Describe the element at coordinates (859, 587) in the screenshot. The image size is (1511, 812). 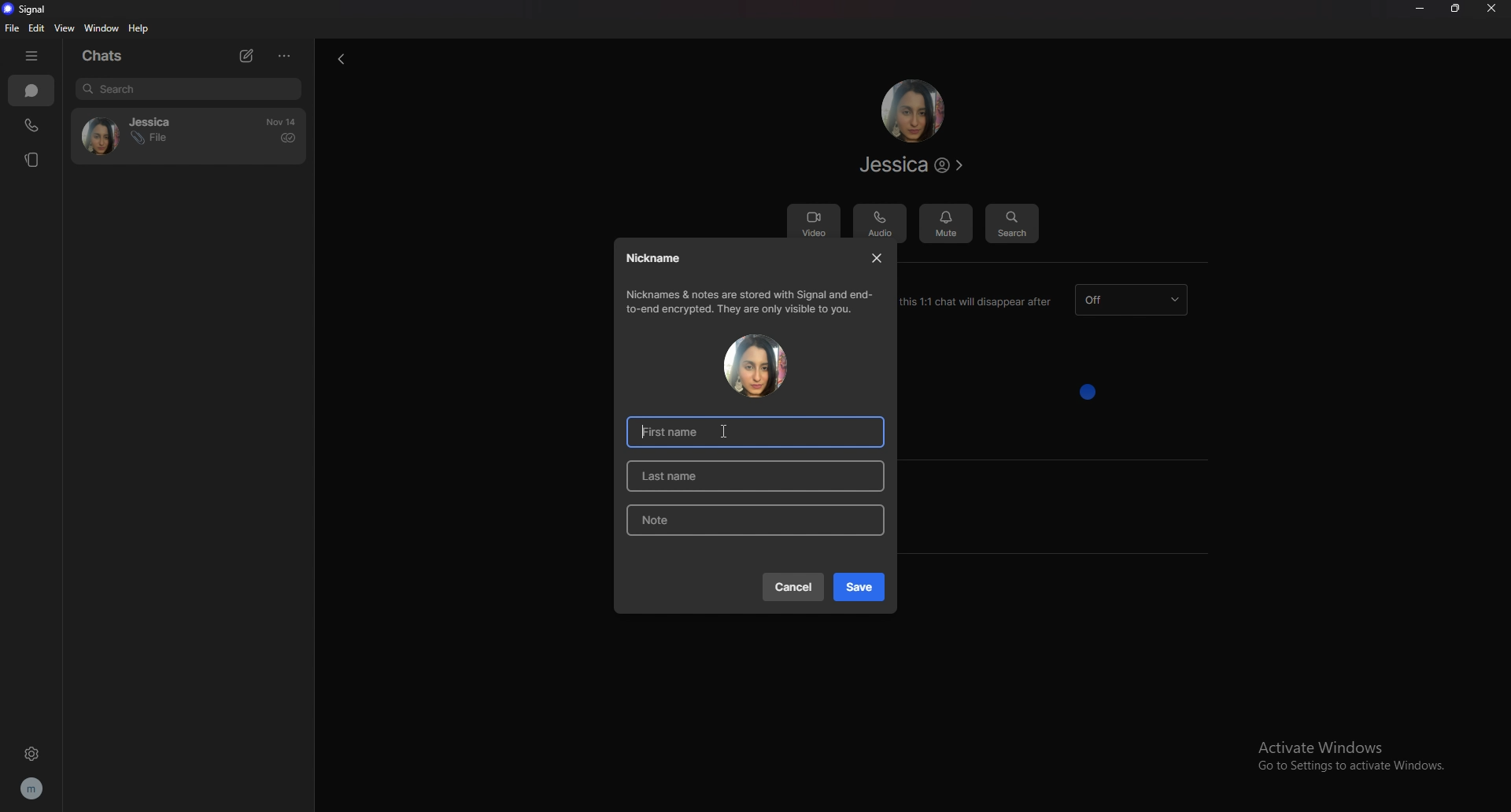
I see `save` at that location.